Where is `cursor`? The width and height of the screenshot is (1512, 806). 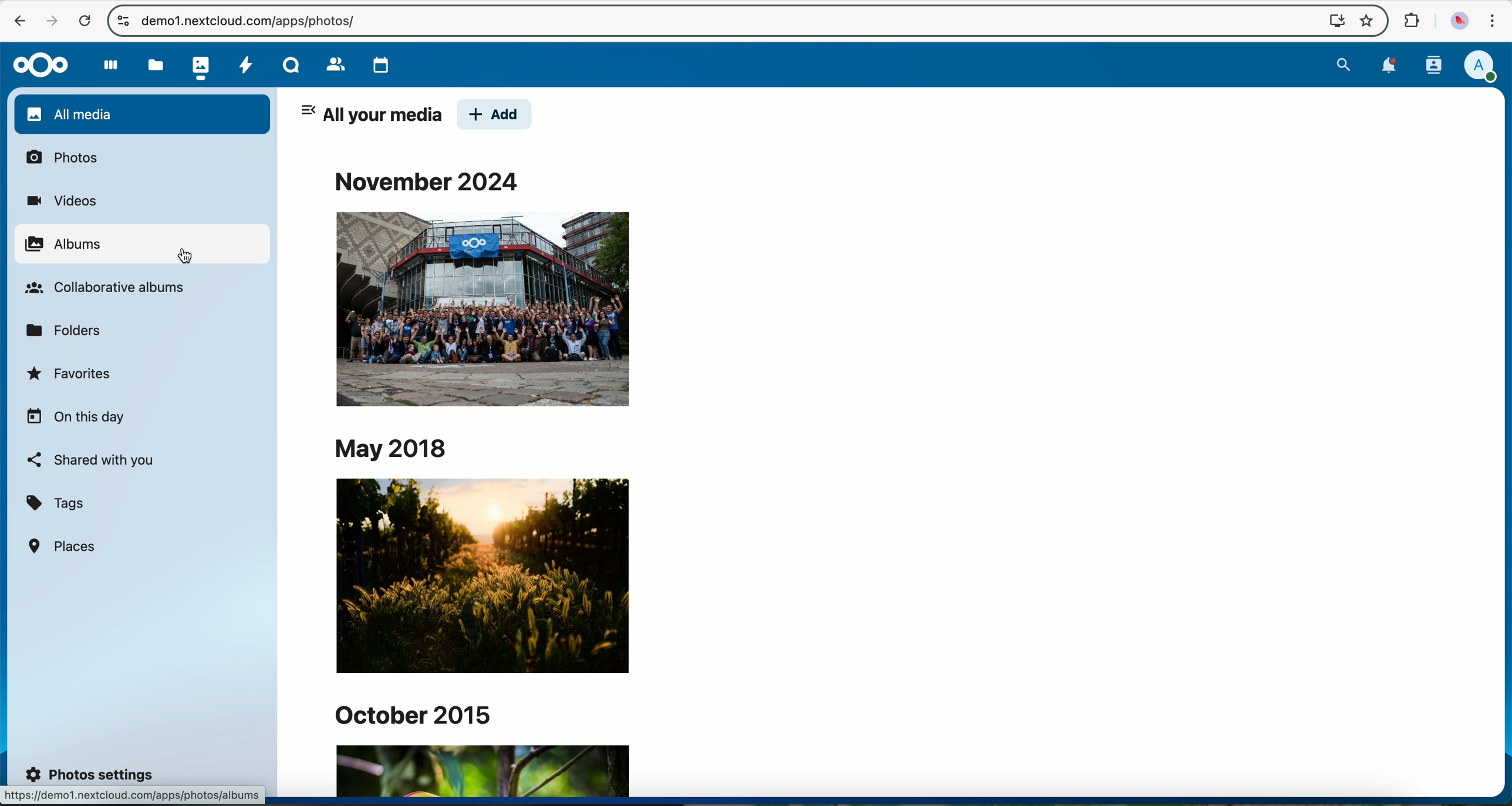
cursor is located at coordinates (188, 256).